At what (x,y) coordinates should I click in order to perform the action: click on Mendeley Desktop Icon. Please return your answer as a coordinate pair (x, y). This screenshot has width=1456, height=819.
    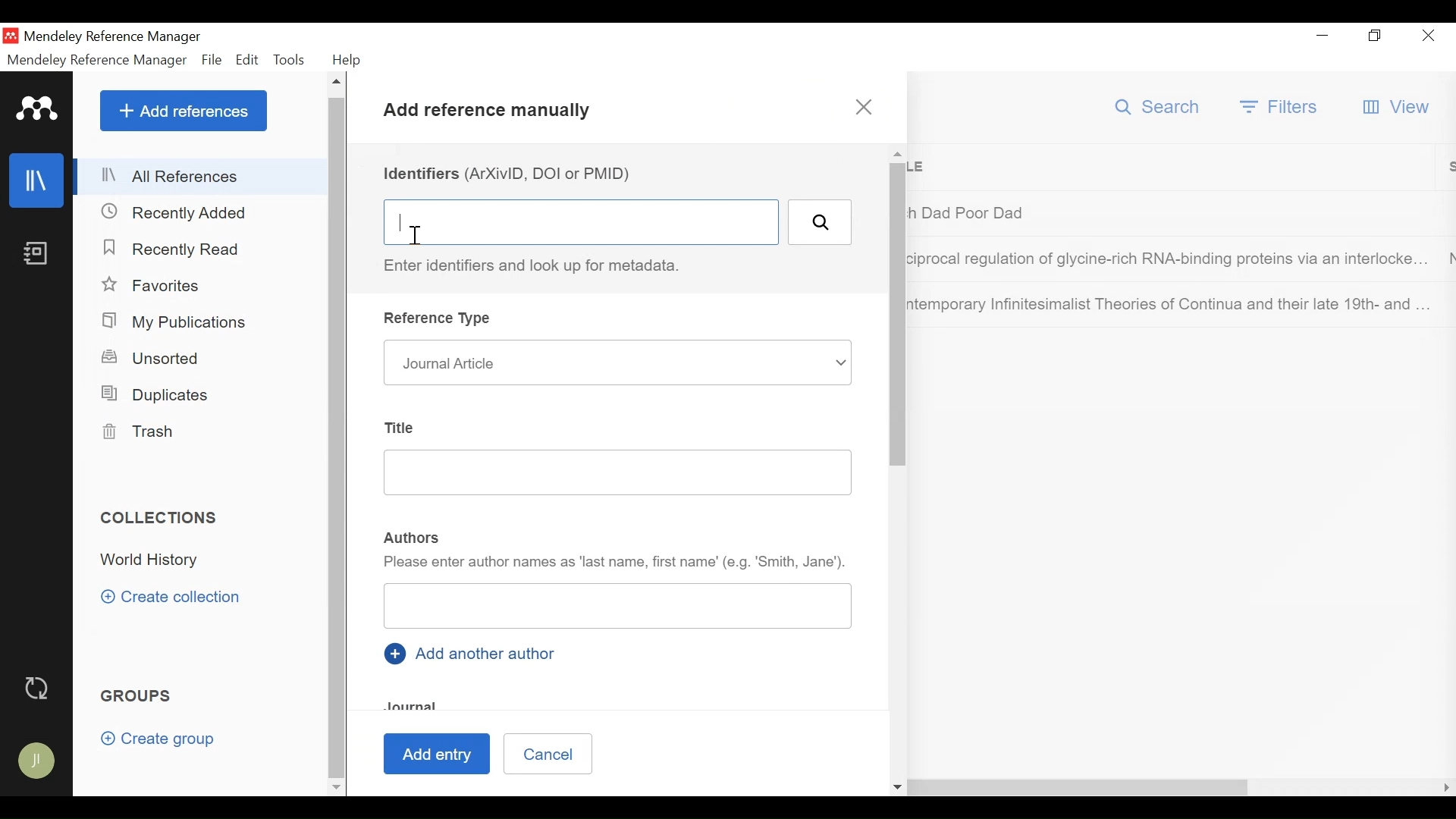
    Looking at the image, I should click on (11, 35).